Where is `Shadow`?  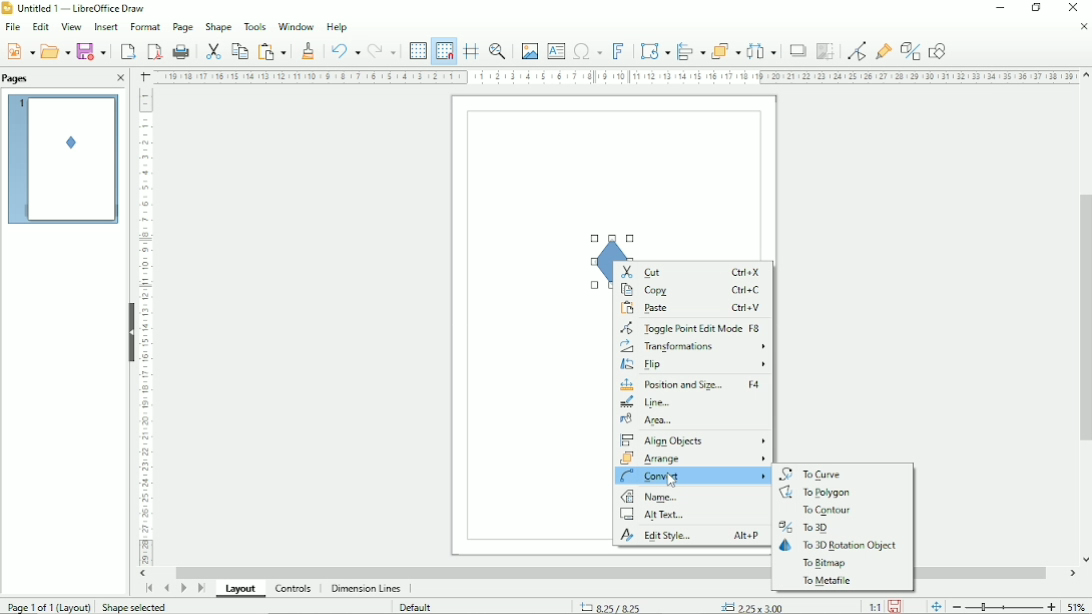
Shadow is located at coordinates (797, 50).